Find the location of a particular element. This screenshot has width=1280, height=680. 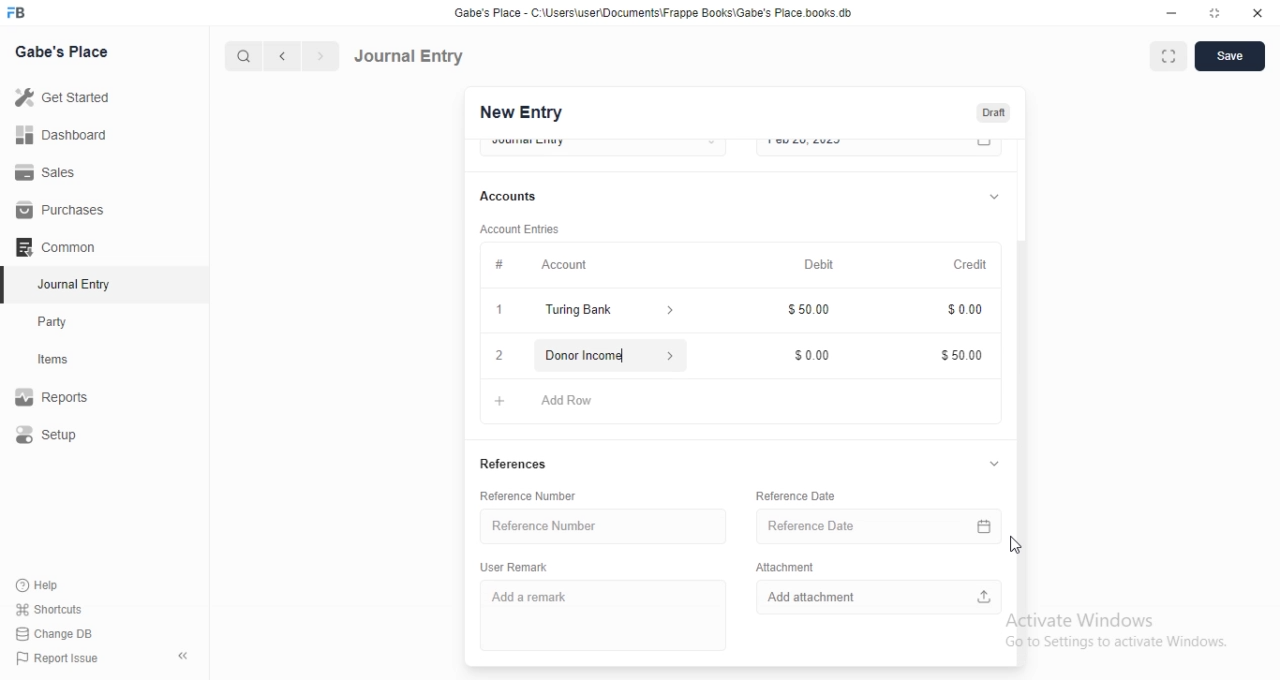

Gabe's Place - C\Users\userDocuments Frappe Books\Gabe's Place books db. is located at coordinates (654, 13).